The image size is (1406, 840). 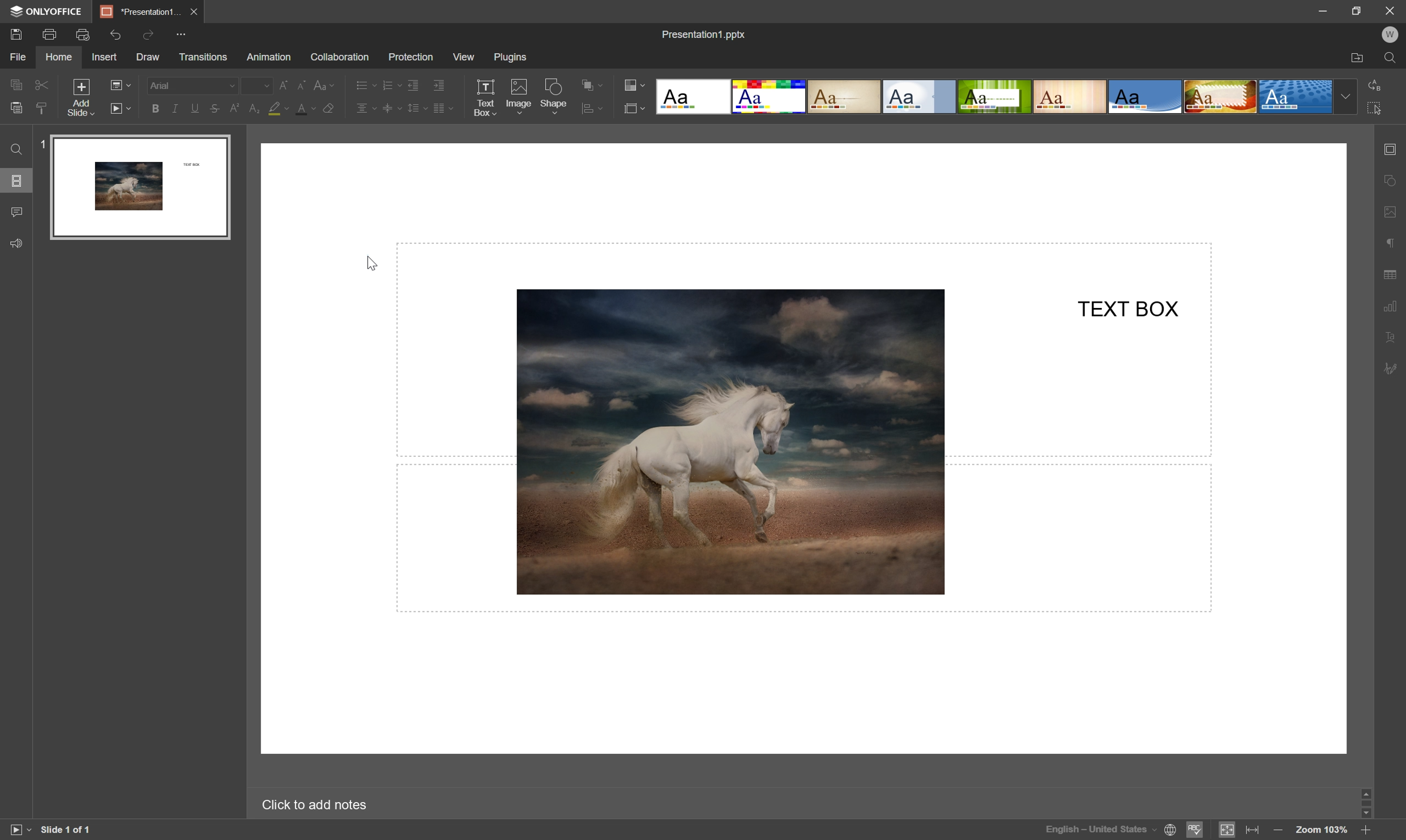 I want to click on close, so click(x=195, y=11).